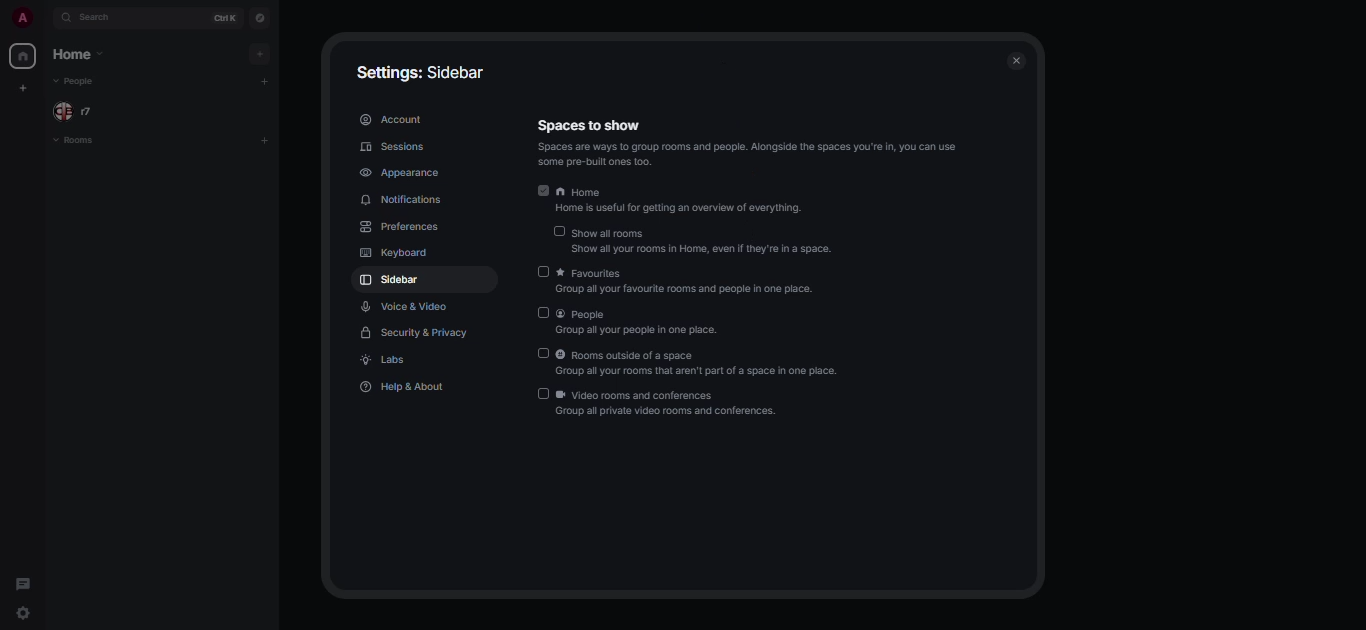  Describe the element at coordinates (390, 281) in the screenshot. I see `sidebar` at that location.